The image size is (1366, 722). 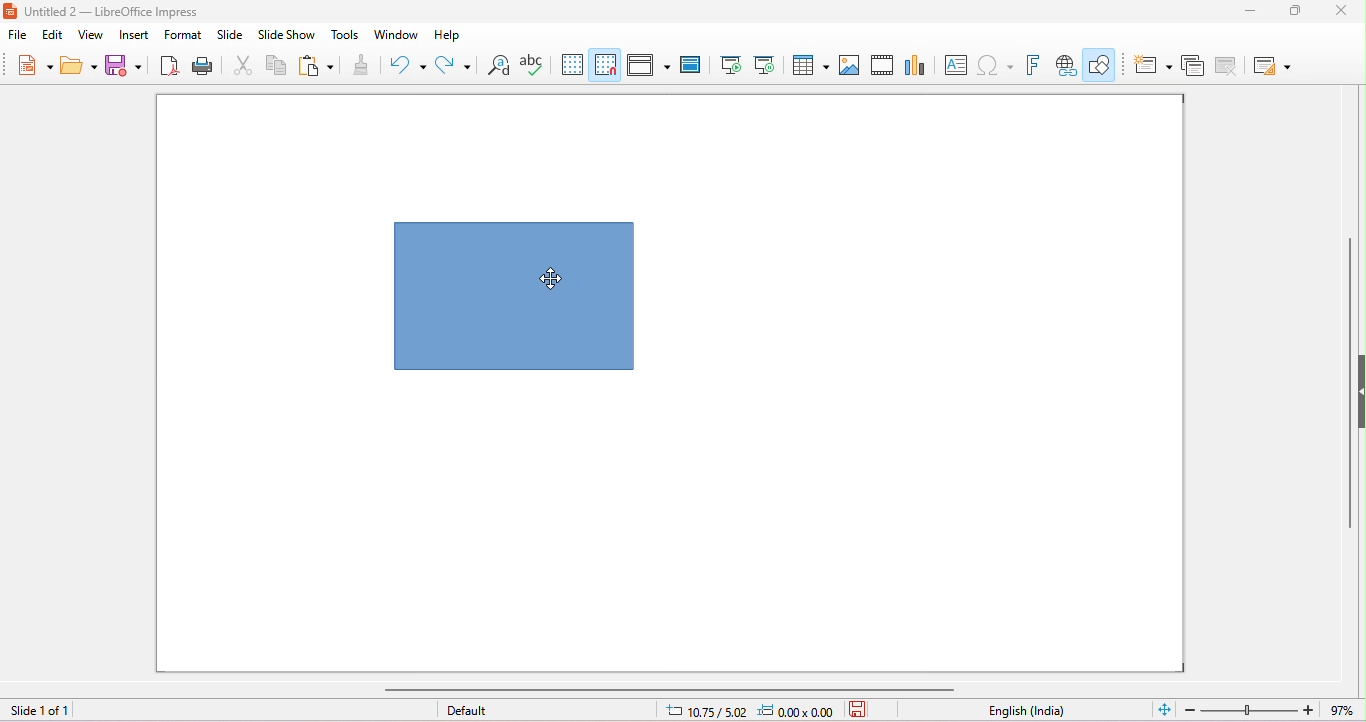 I want to click on slide 1 of 1, so click(x=39, y=711).